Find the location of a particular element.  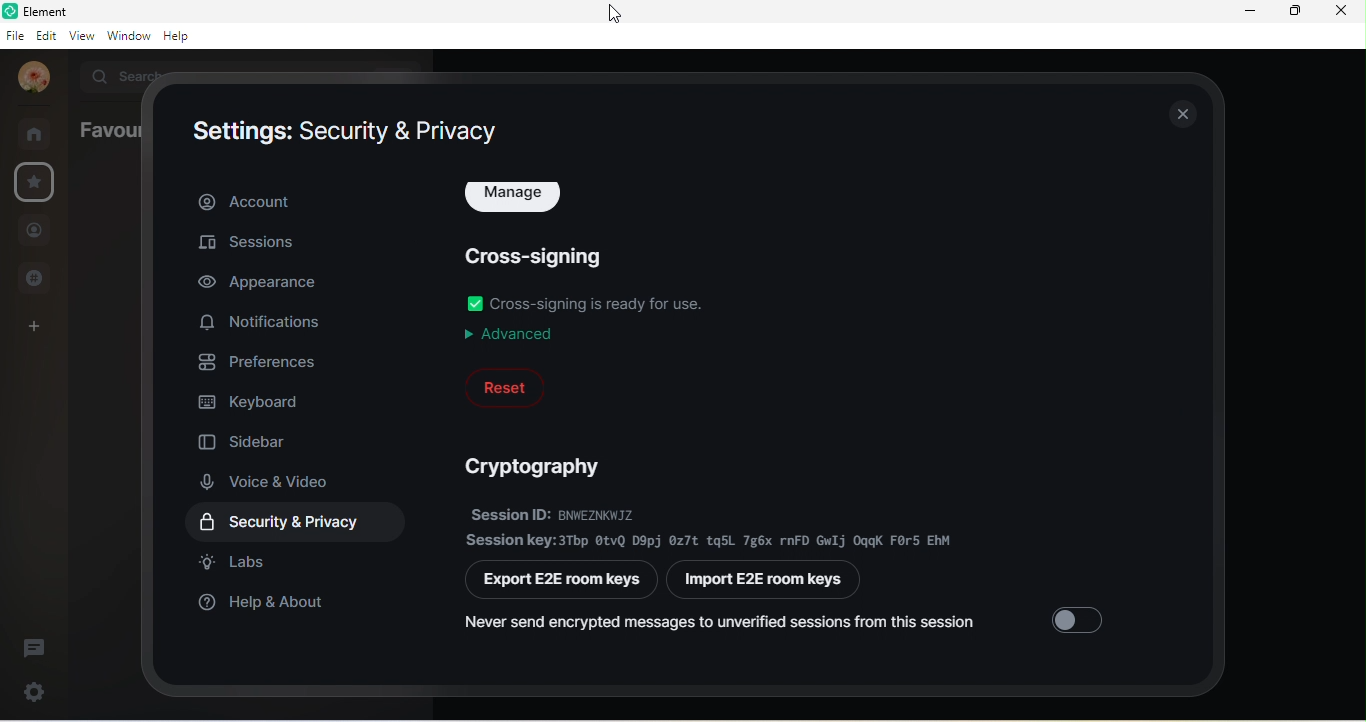

favourites is located at coordinates (35, 183).